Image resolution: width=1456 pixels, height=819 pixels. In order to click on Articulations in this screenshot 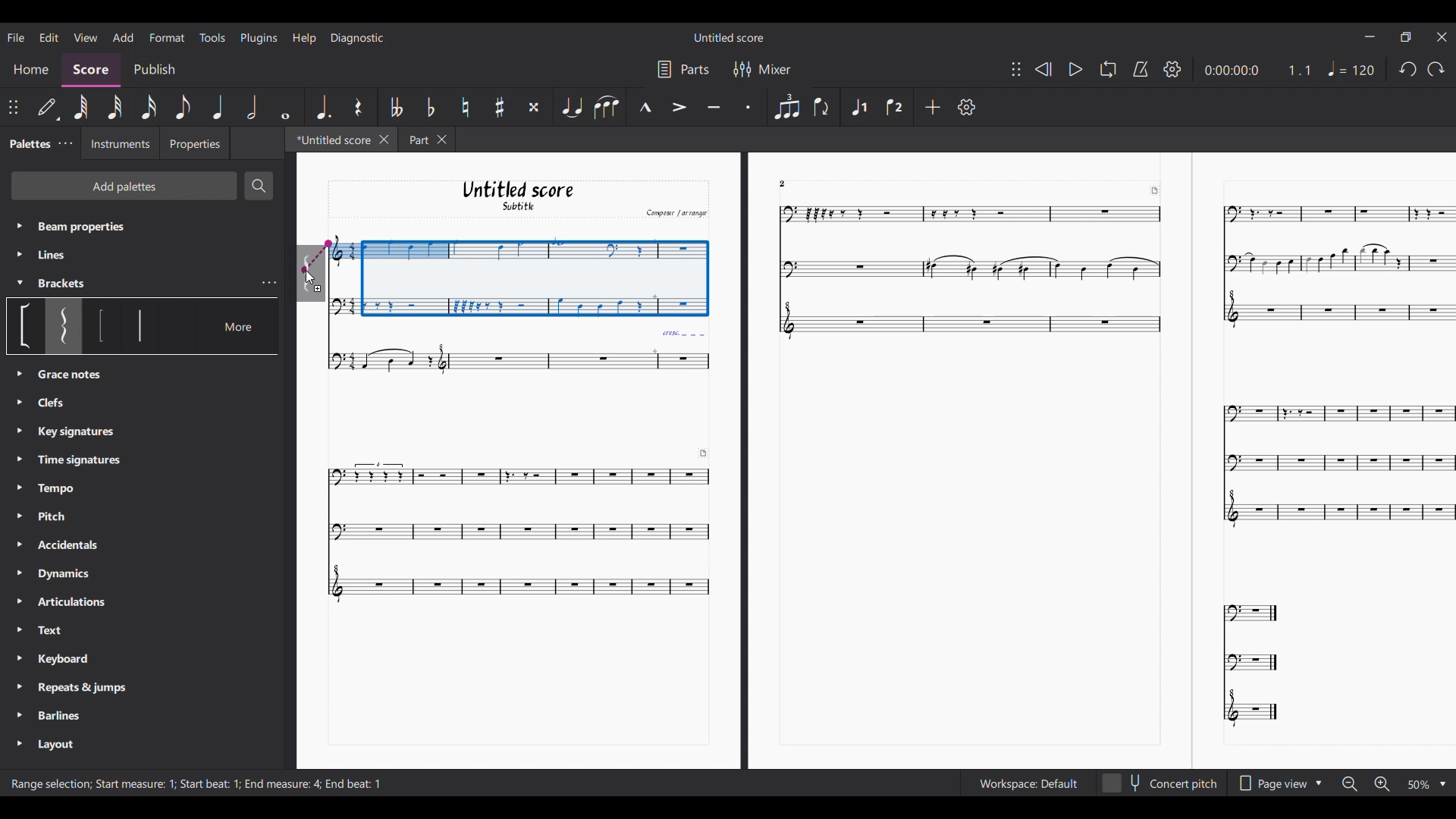, I will do `click(77, 600)`.